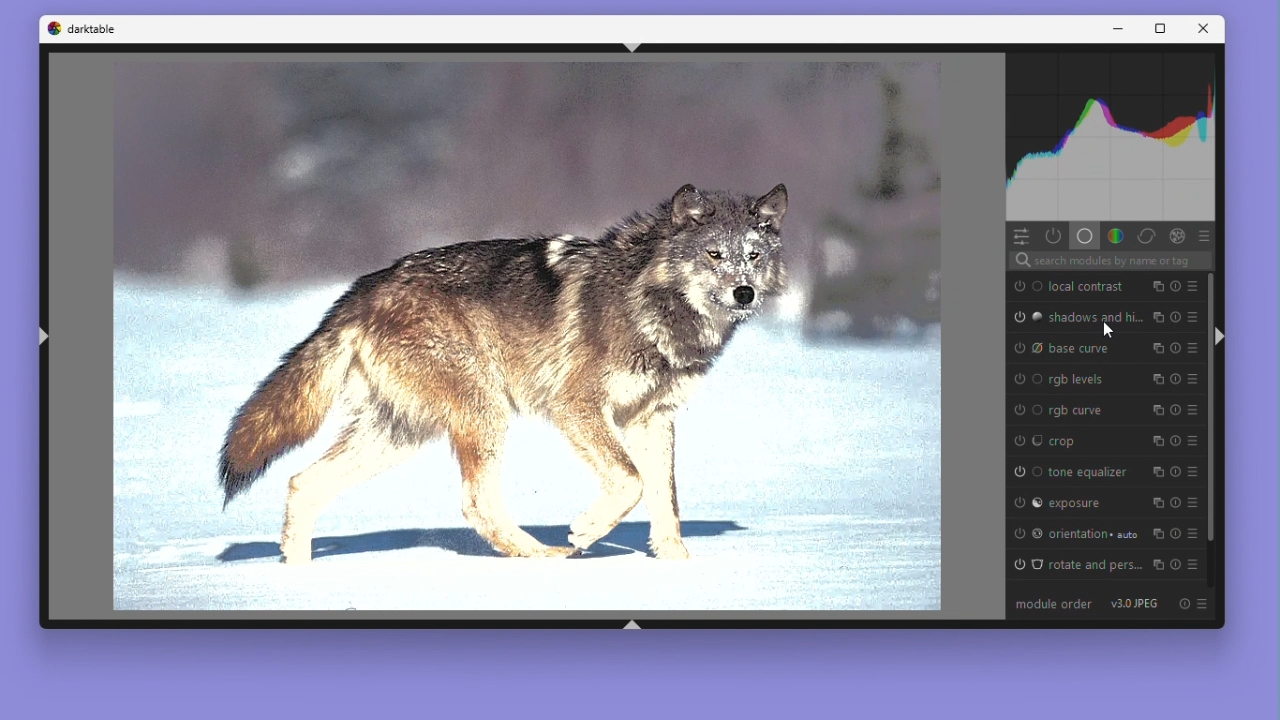  I want to click on presets, so click(1192, 440).